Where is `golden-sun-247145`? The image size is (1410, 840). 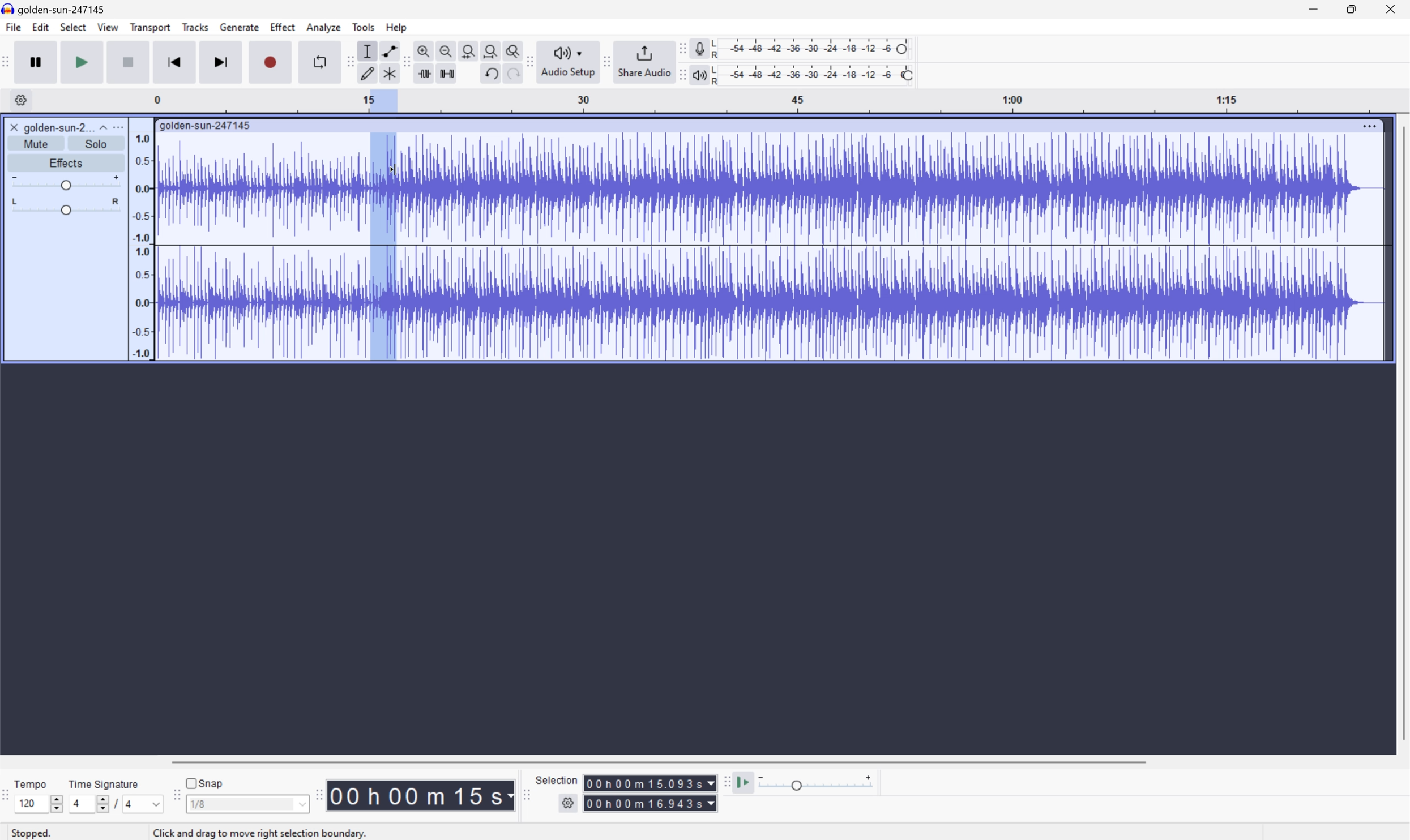
golden-sun-247145 is located at coordinates (57, 8).